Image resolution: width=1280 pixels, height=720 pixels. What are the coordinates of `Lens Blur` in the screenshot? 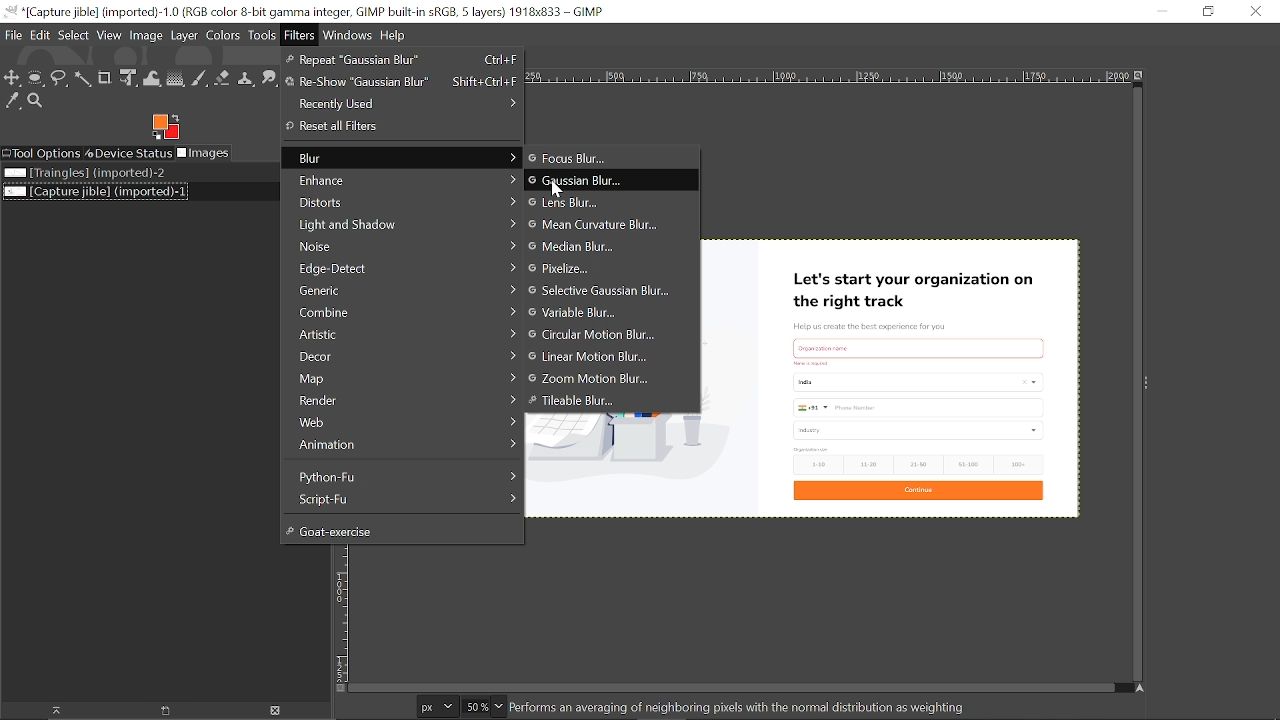 It's located at (591, 203).